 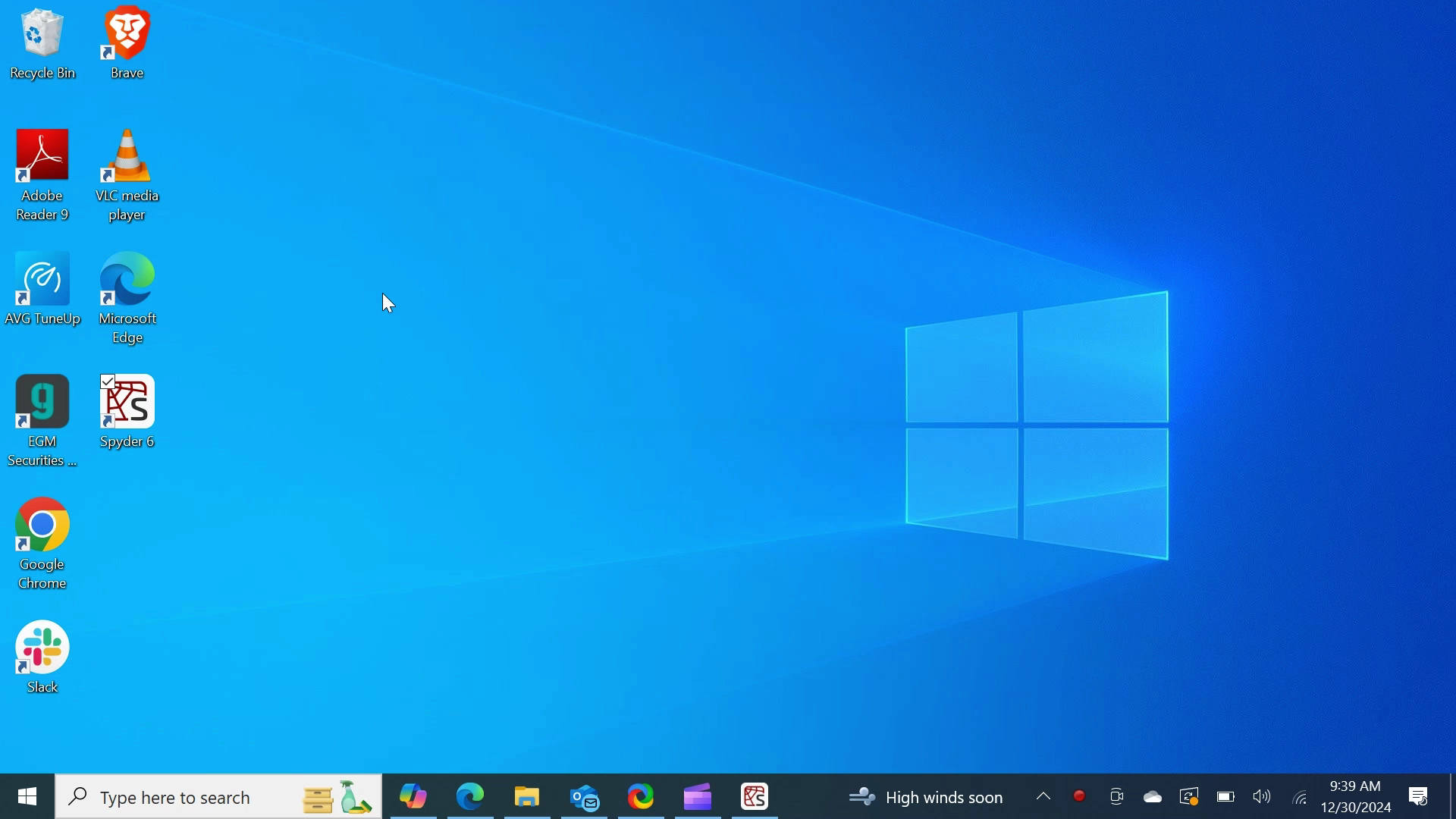 What do you see at coordinates (46, 303) in the screenshot?
I see `AVG TuneUp Desktop Icon` at bounding box center [46, 303].